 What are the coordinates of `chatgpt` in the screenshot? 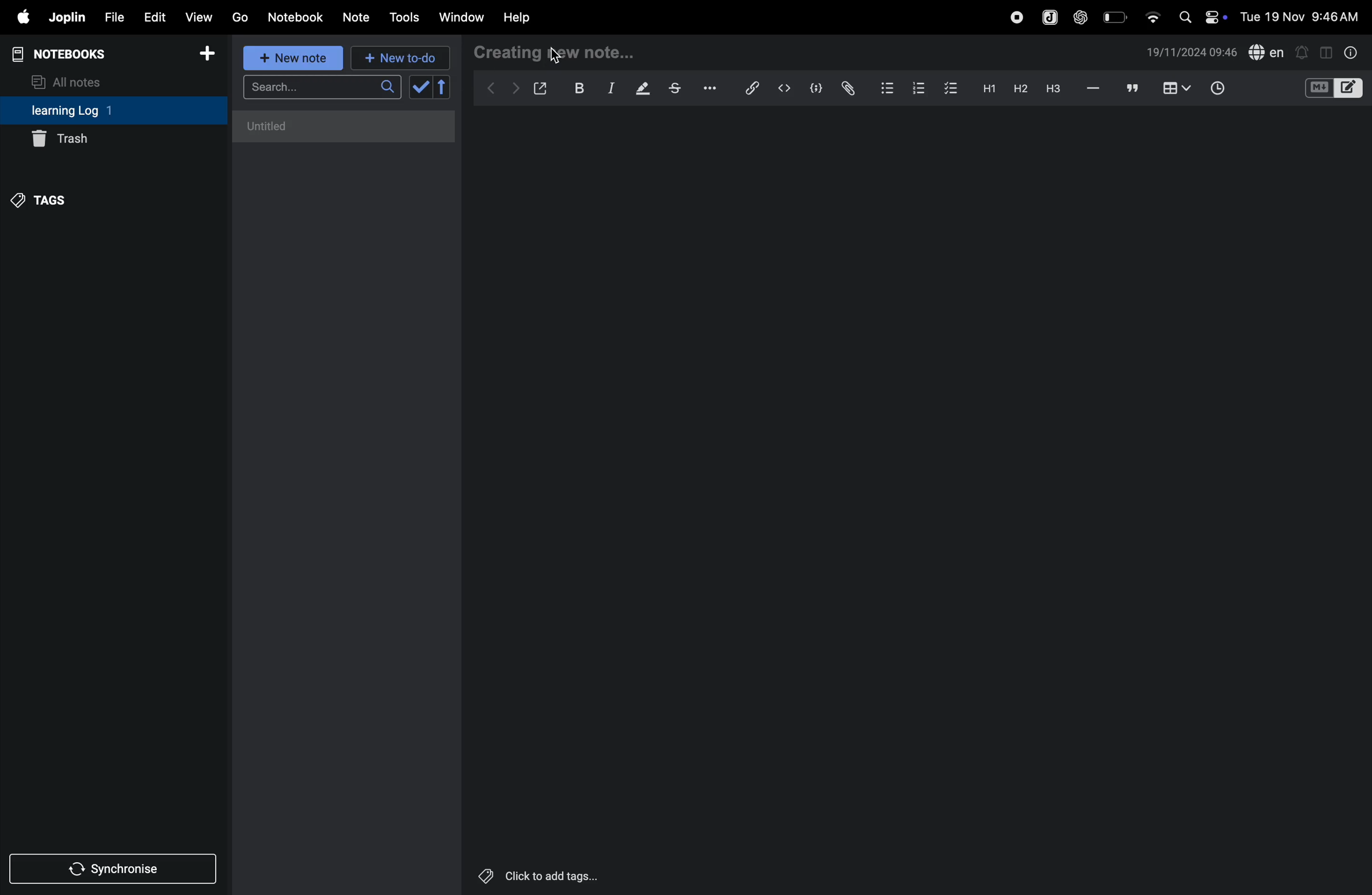 It's located at (1081, 16).